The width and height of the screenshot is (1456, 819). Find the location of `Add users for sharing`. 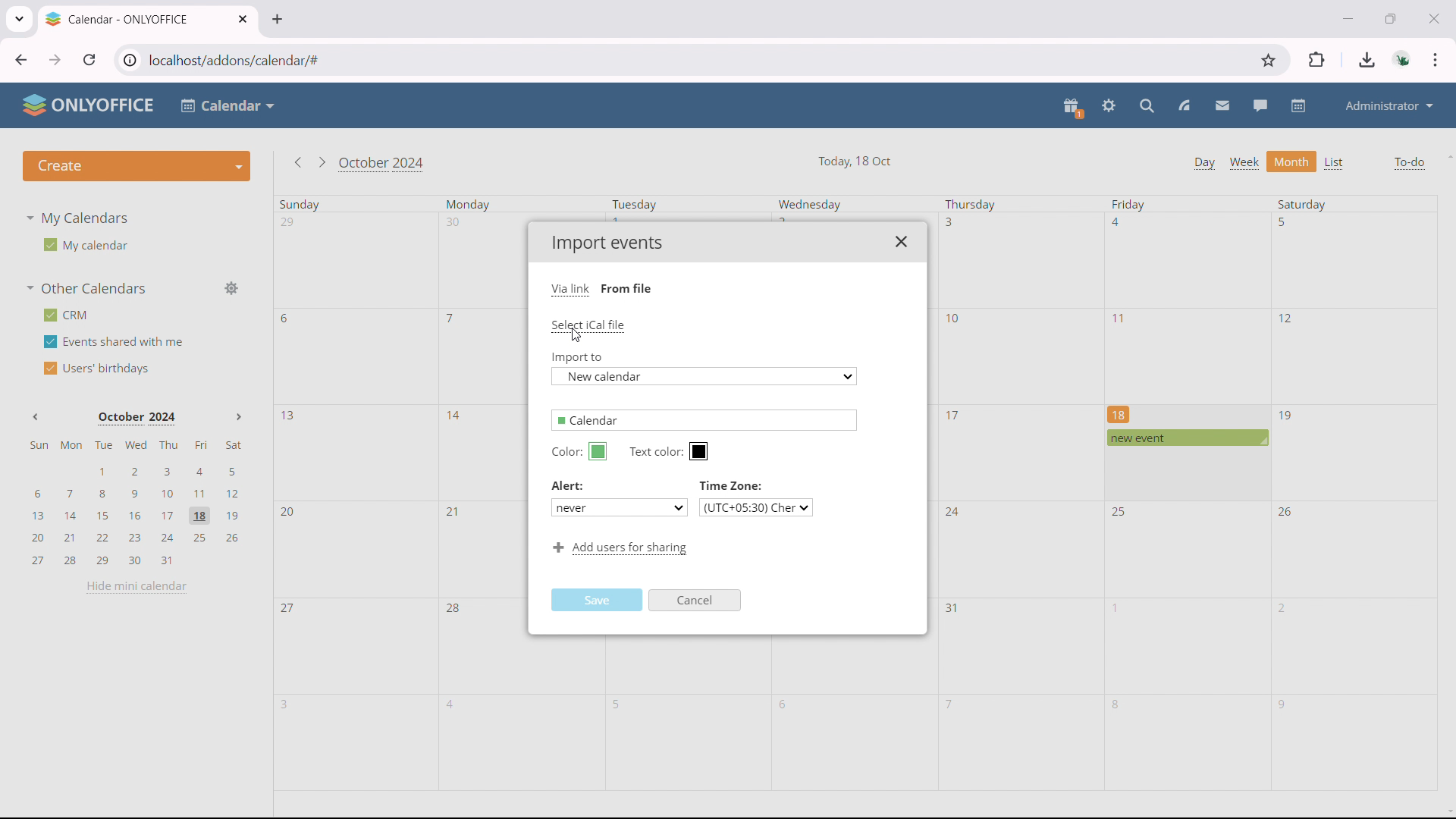

Add users for sharing is located at coordinates (617, 549).